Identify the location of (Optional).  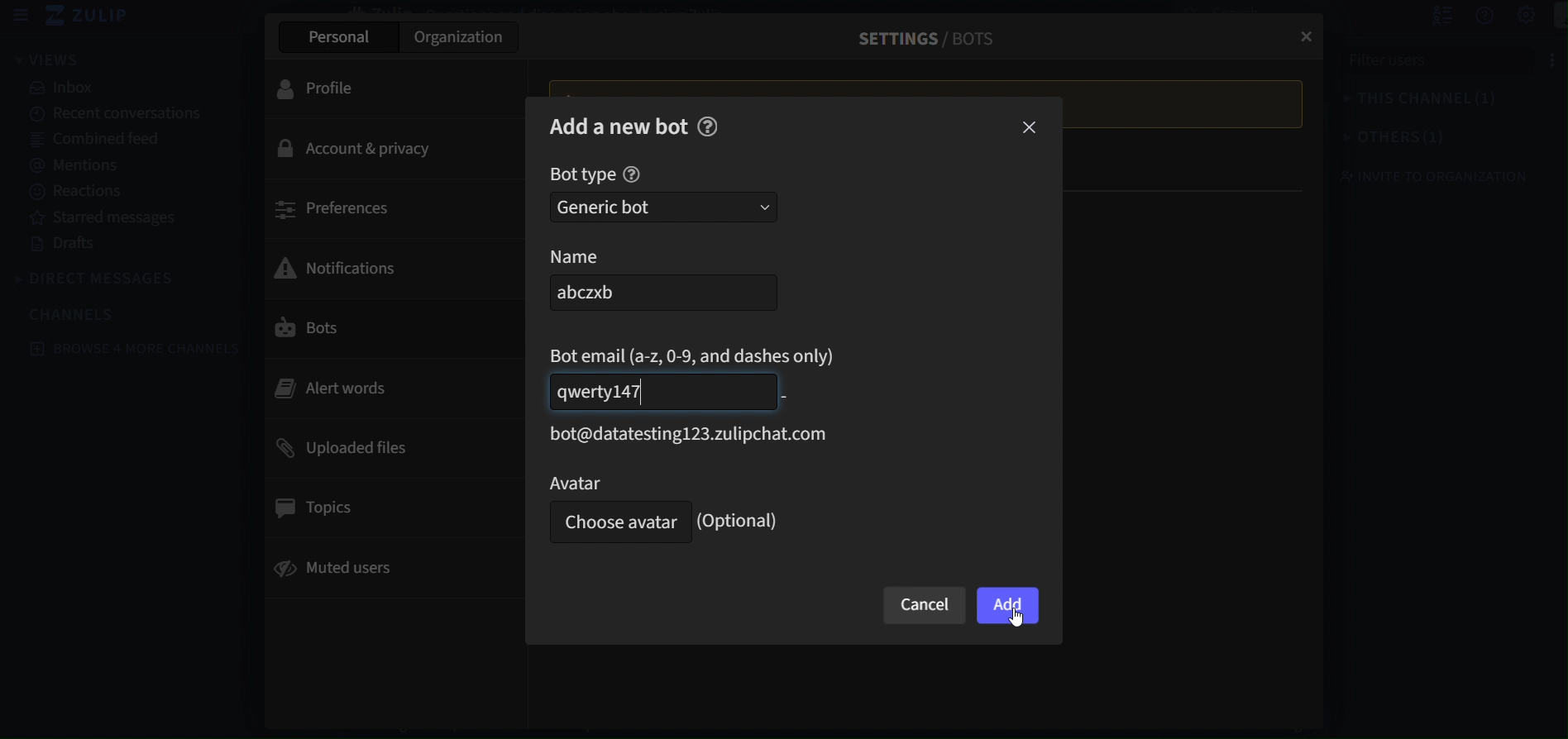
(742, 521).